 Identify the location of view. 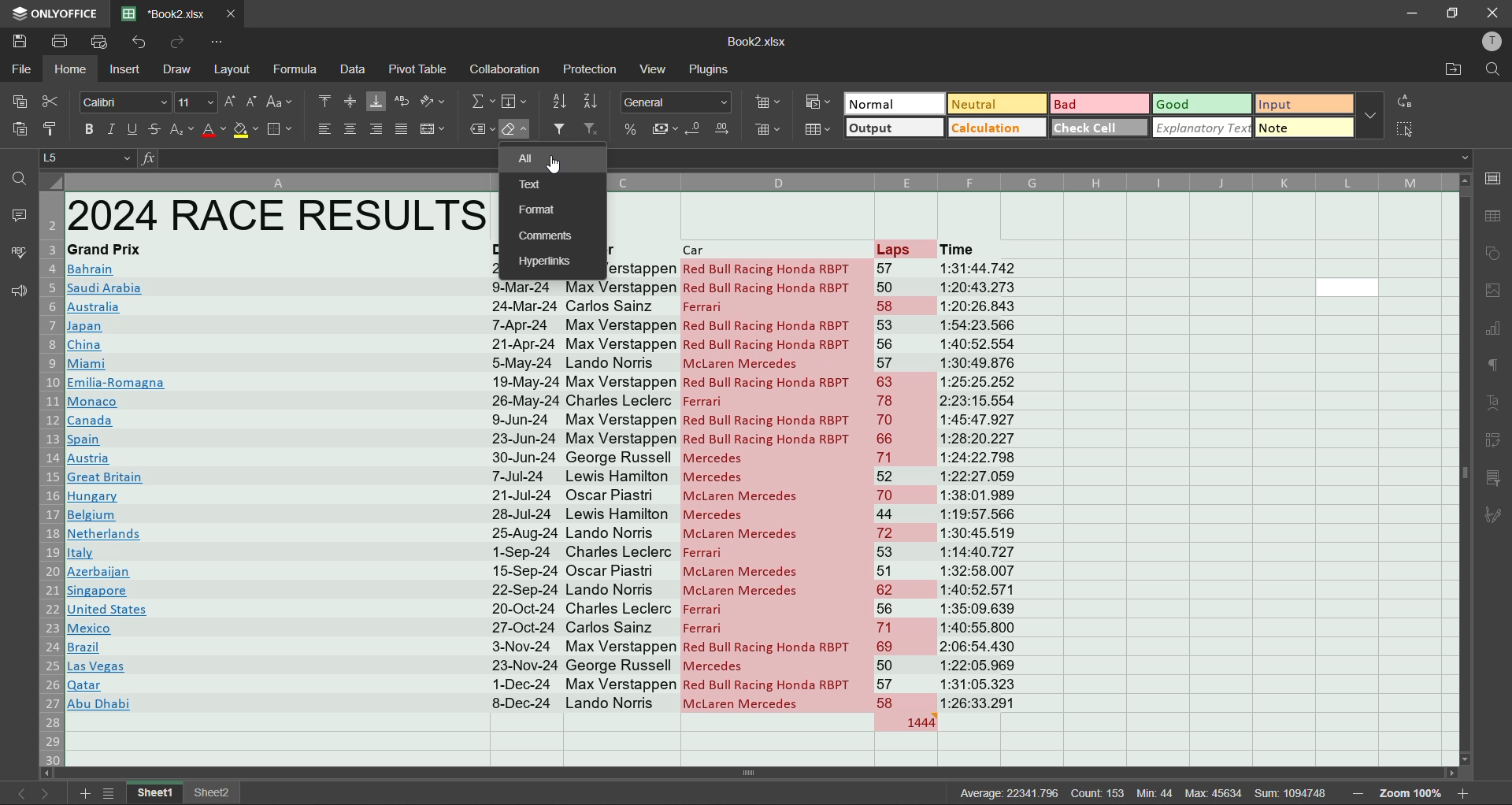
(655, 69).